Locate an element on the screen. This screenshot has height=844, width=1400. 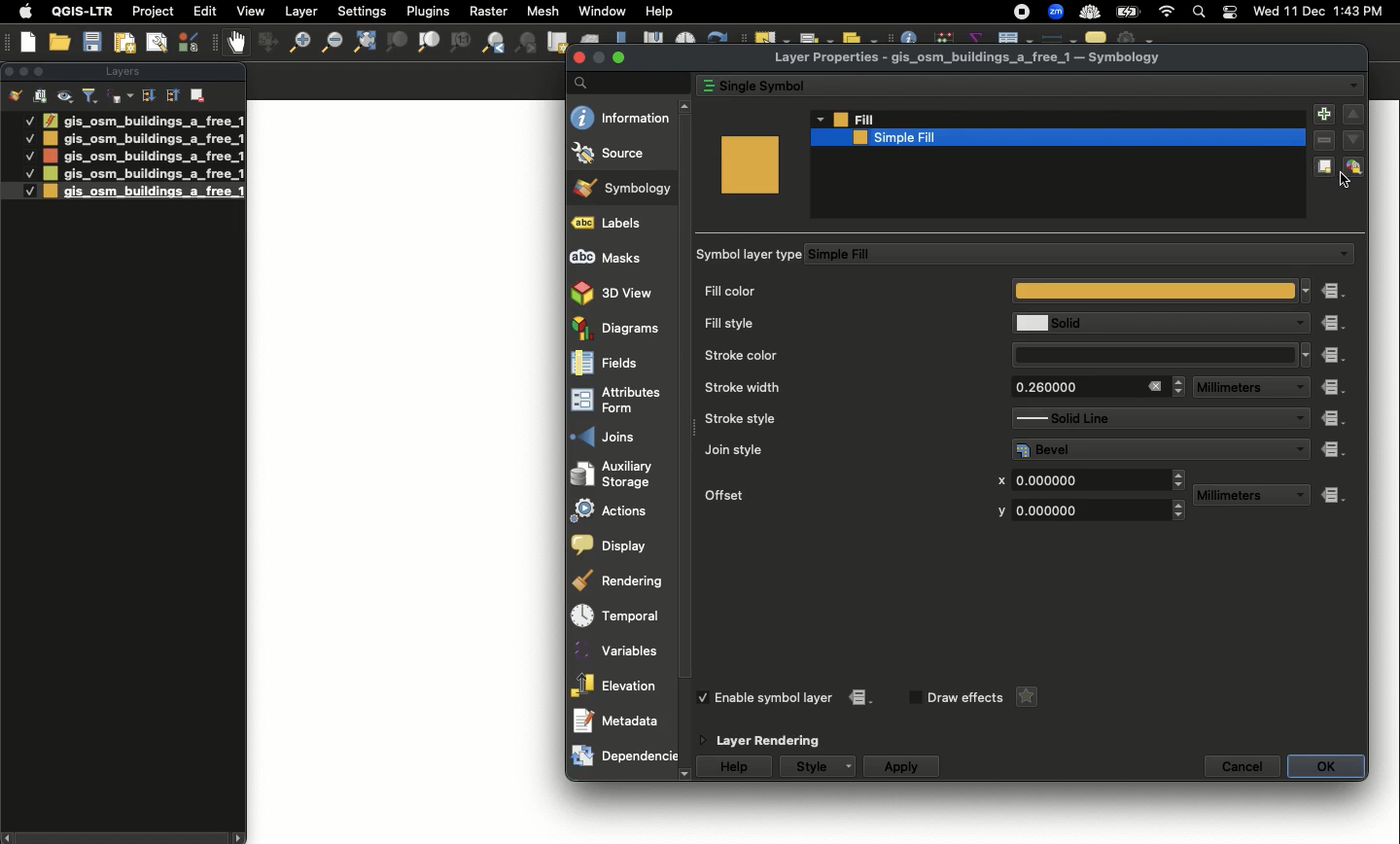
Zoom to layer is located at coordinates (430, 42).